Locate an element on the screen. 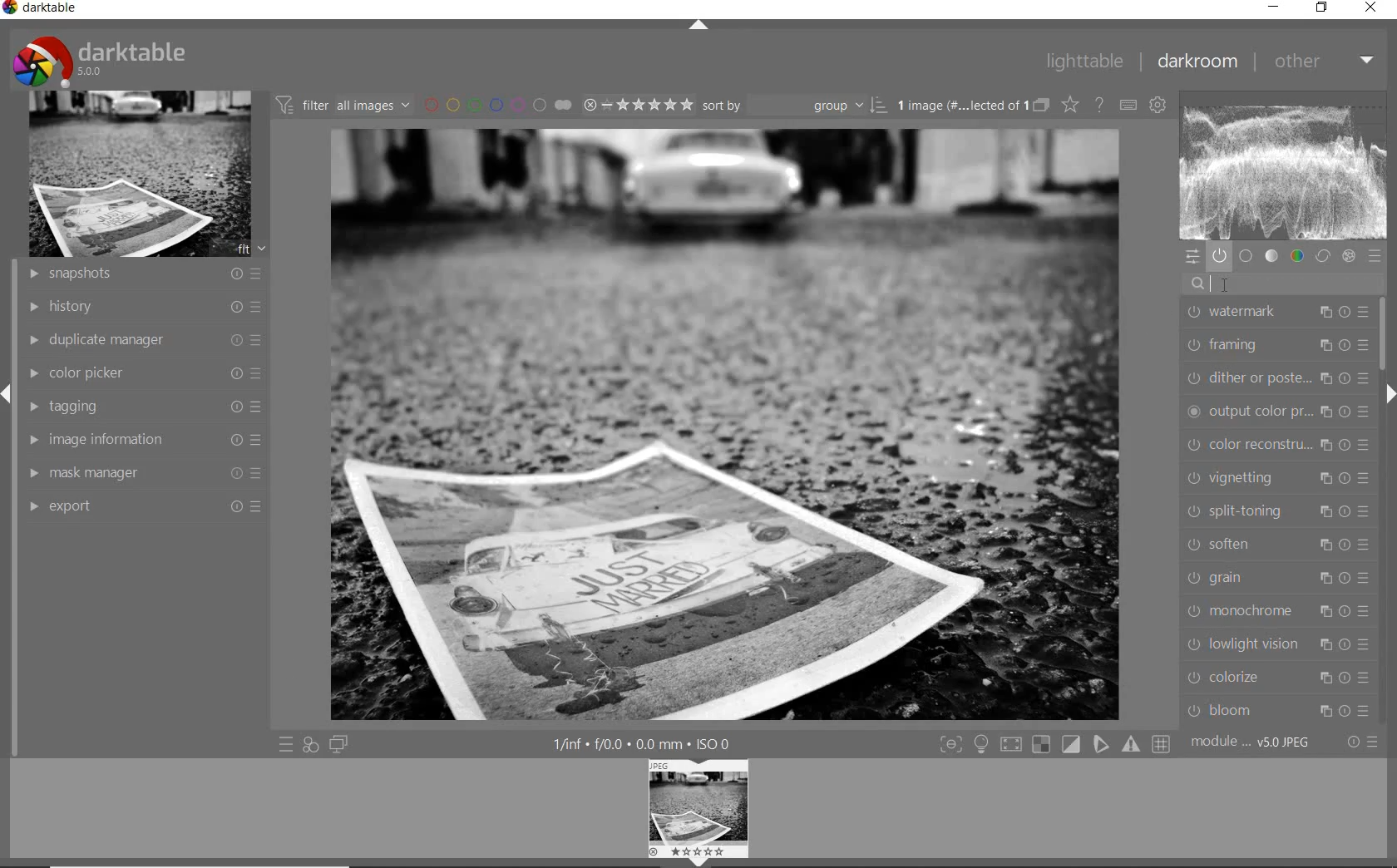 This screenshot has width=1397, height=868. soften is located at coordinates (1276, 545).